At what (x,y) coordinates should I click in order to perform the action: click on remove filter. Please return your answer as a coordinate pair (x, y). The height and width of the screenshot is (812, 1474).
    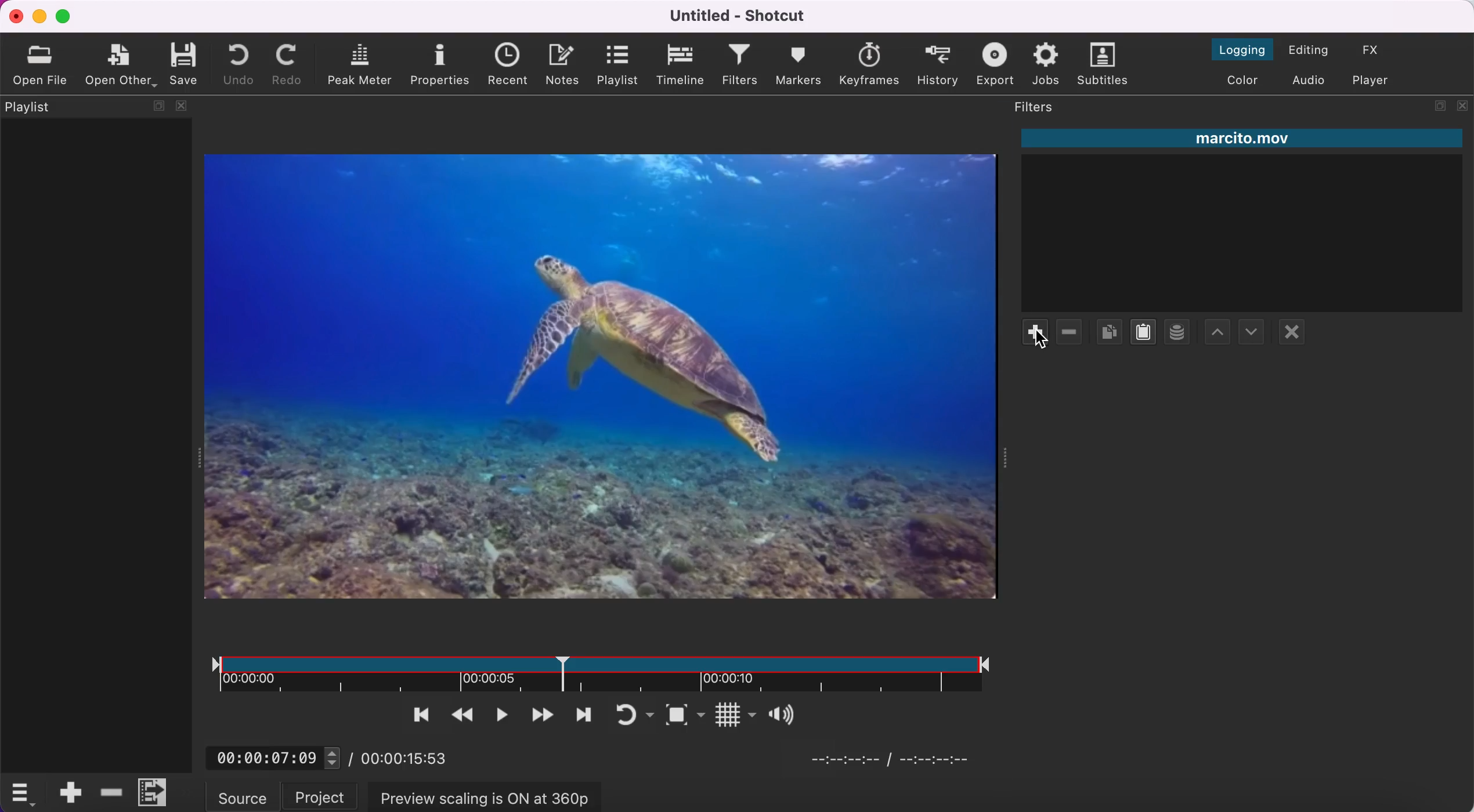
    Looking at the image, I should click on (1072, 333).